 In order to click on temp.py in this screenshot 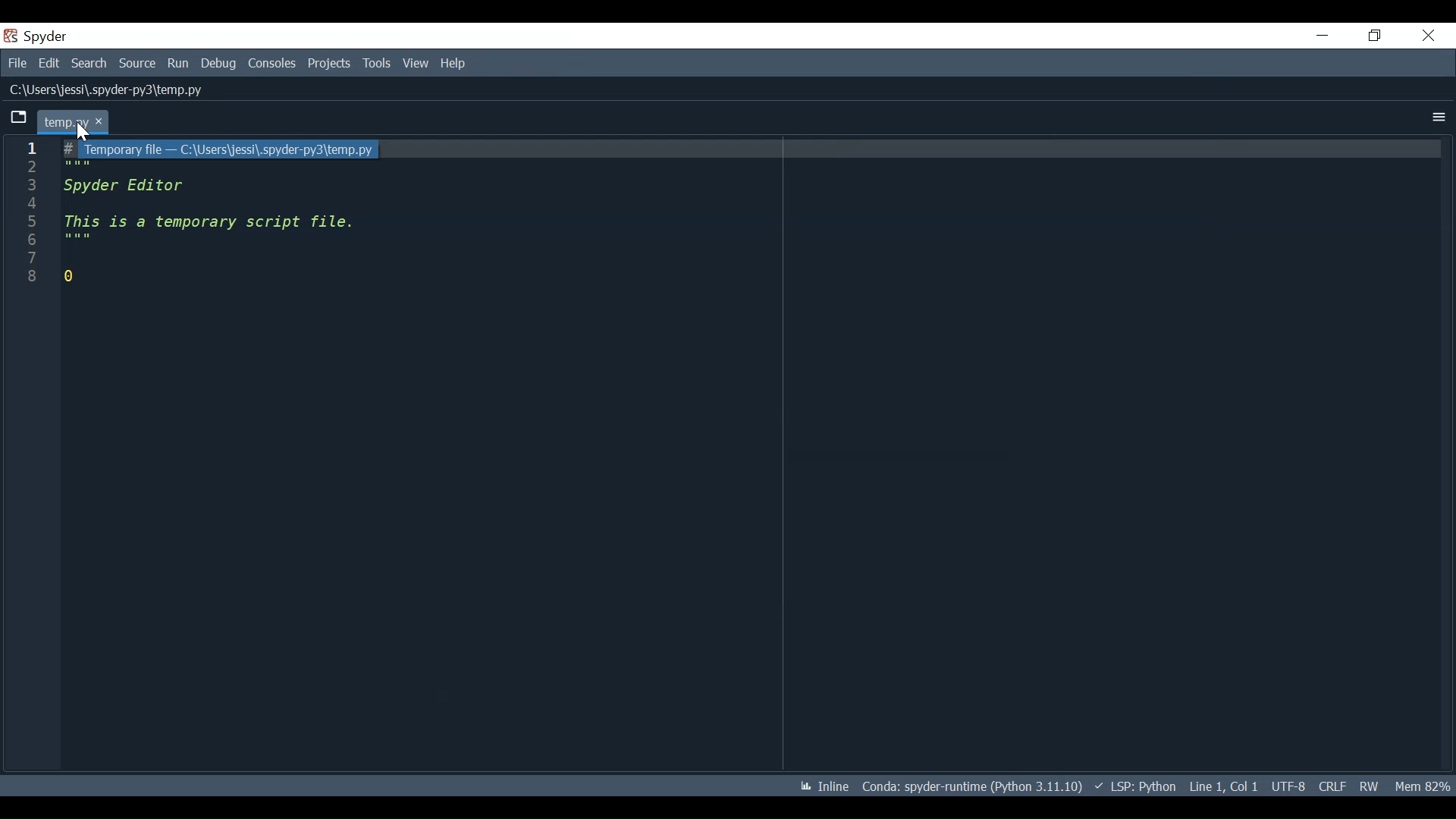, I will do `click(75, 121)`.